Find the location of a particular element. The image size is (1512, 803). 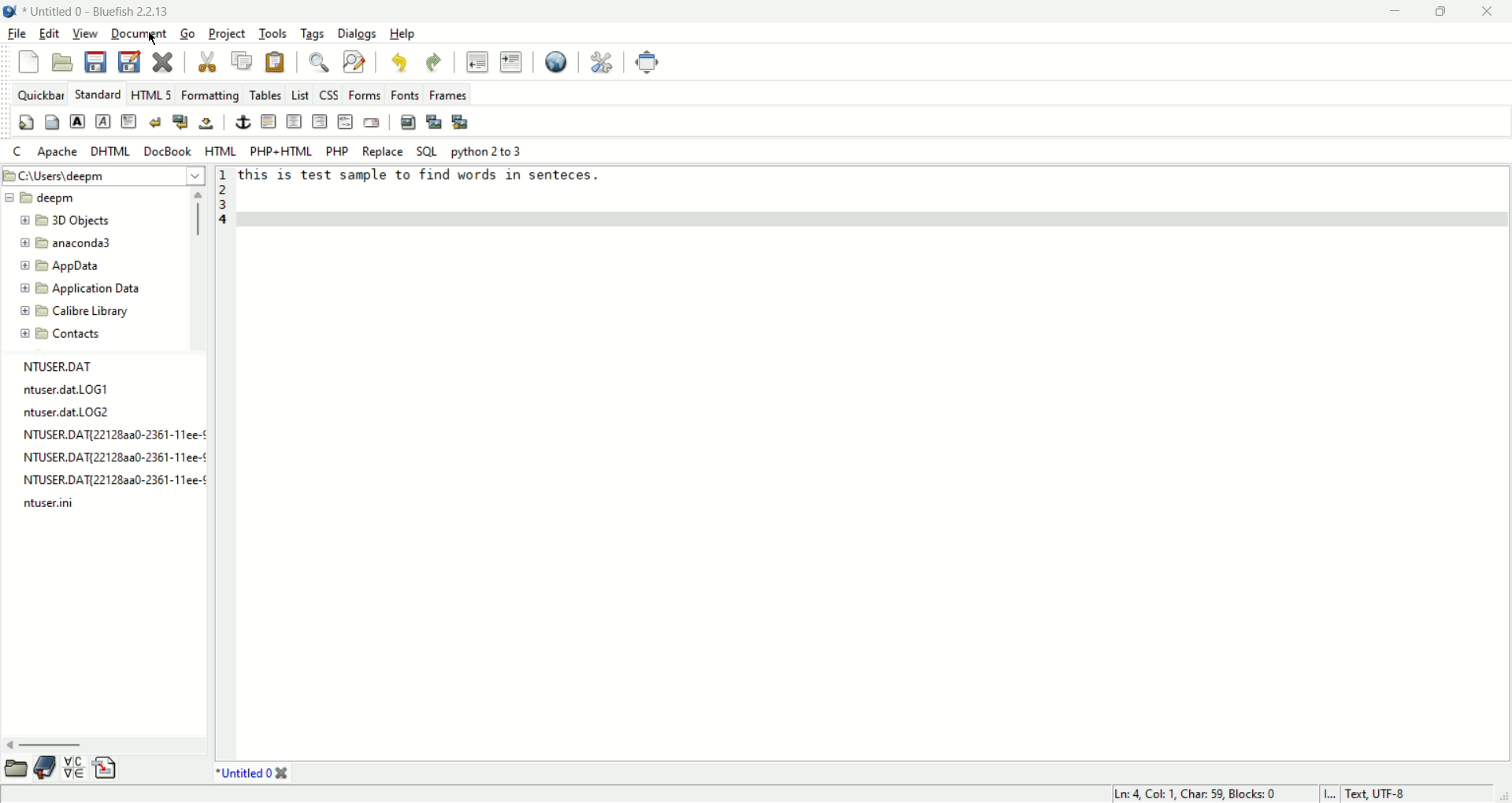

NTUSER.DAT{221283a0-2361-11ee- is located at coordinates (113, 435).